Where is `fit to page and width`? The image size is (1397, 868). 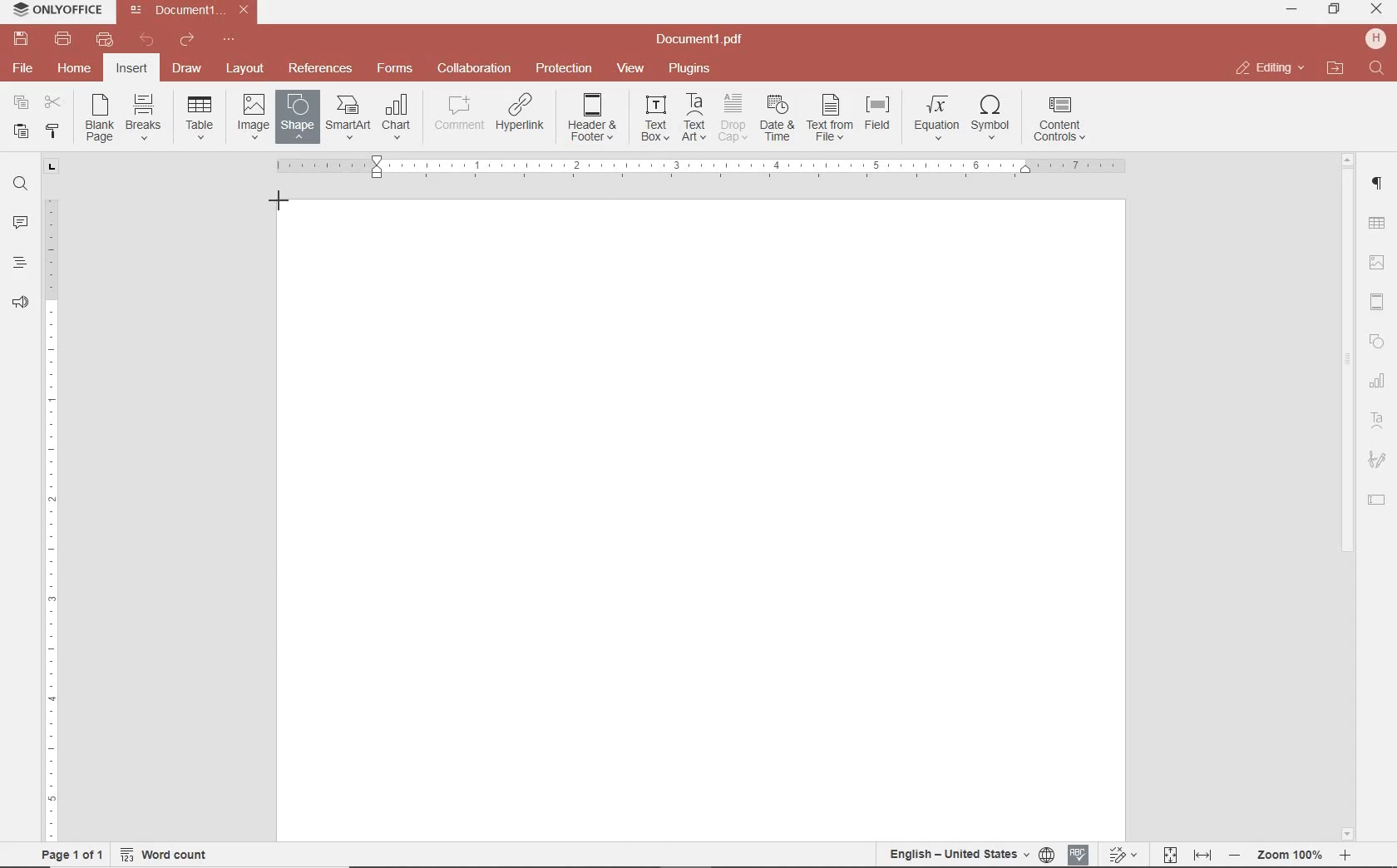 fit to page and width is located at coordinates (1184, 856).